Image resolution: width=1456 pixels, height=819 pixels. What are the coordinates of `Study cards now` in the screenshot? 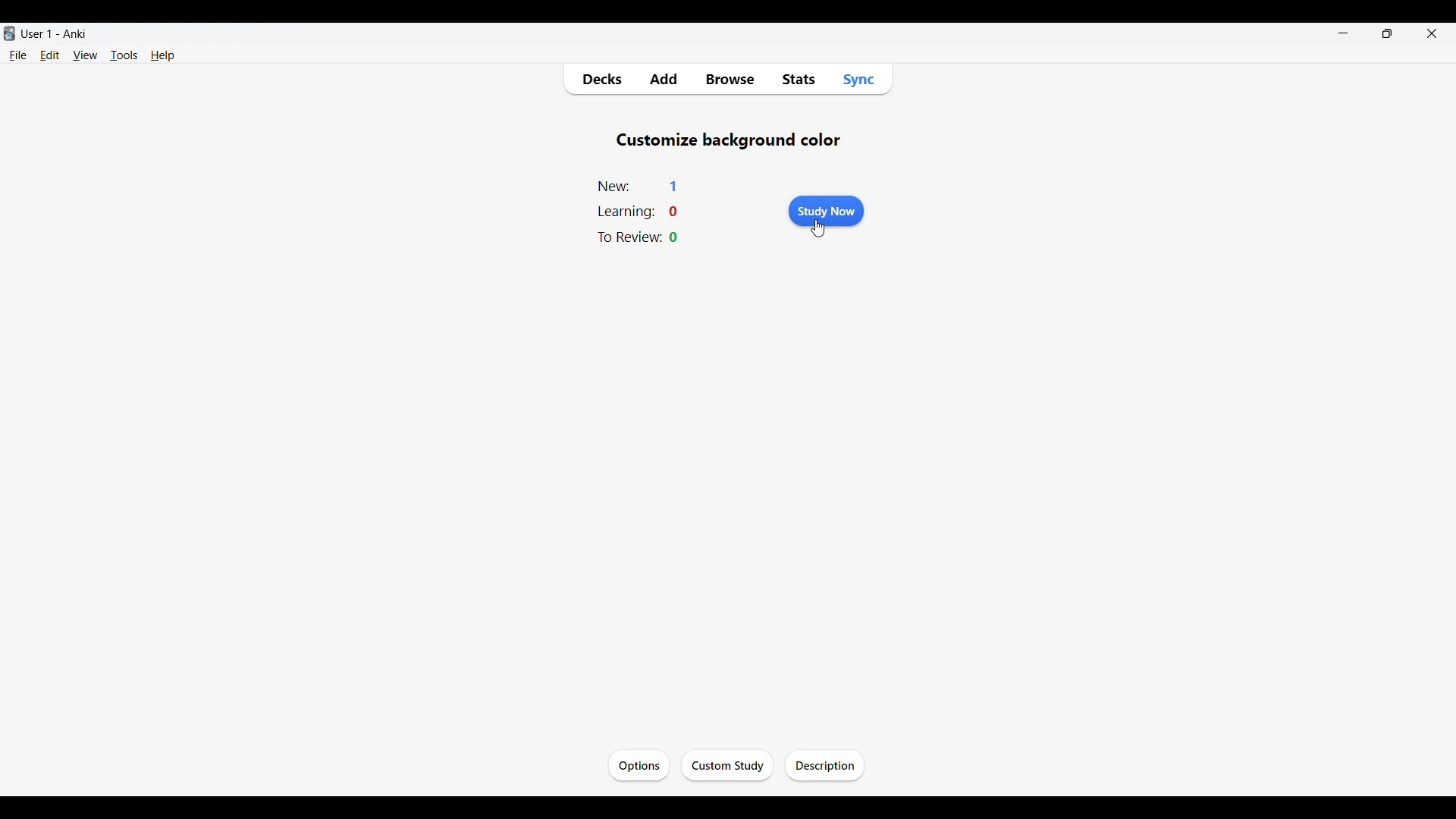 It's located at (827, 211).